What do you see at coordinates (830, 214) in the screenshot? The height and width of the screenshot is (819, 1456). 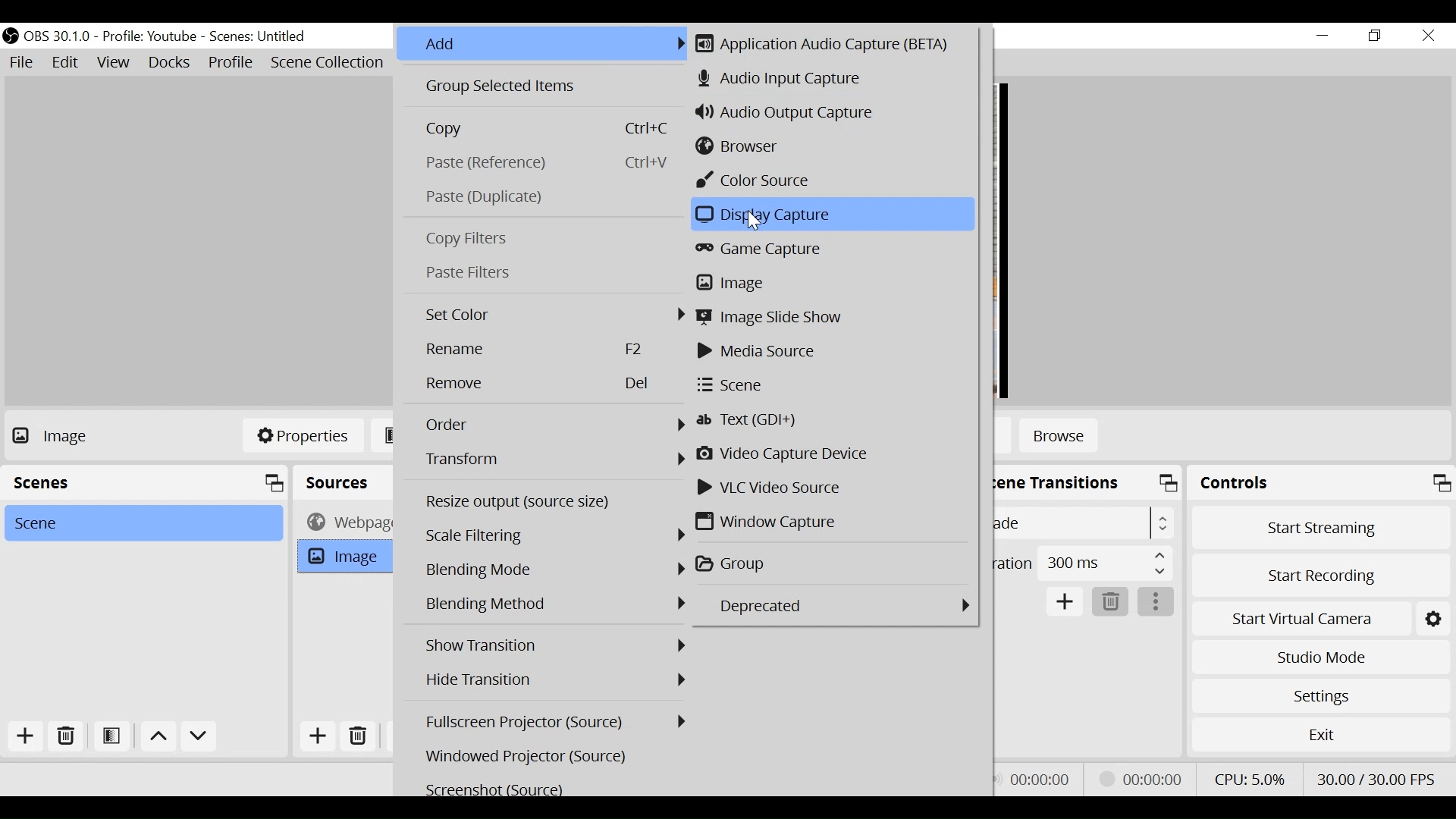 I see `Display Capture` at bounding box center [830, 214].